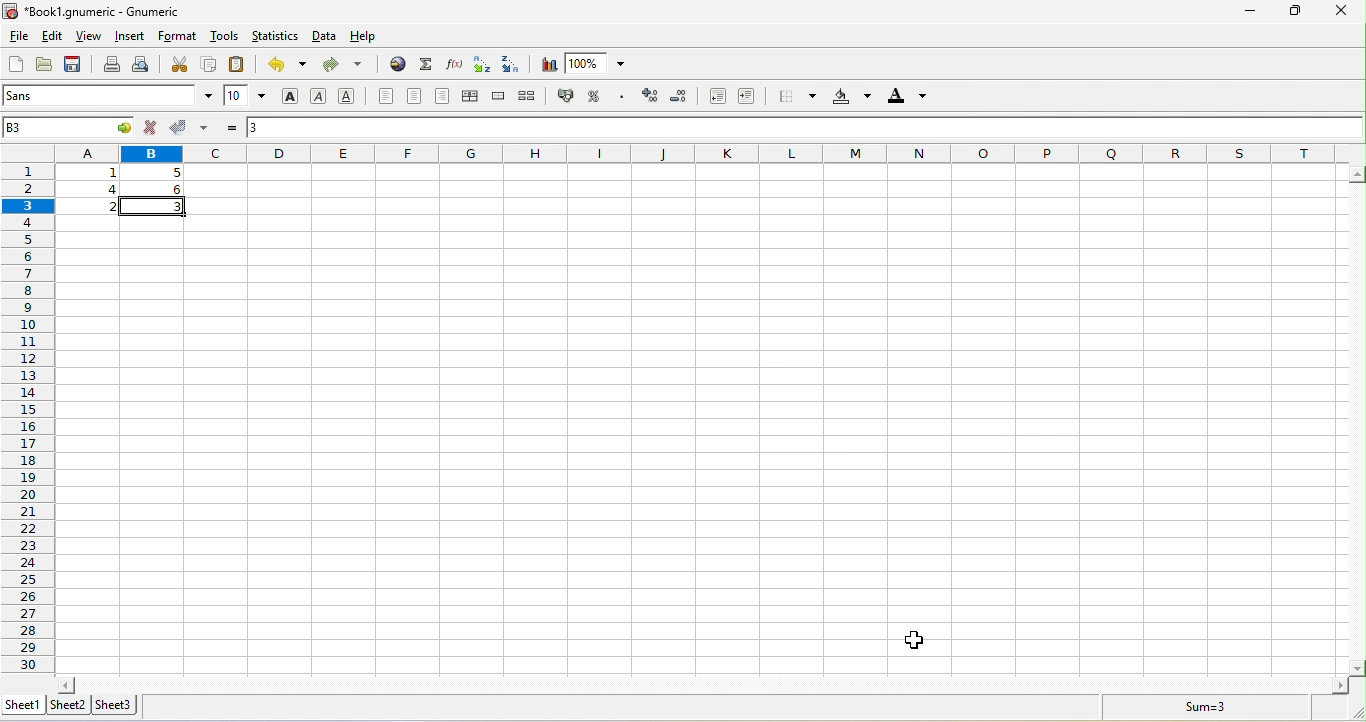  What do you see at coordinates (348, 67) in the screenshot?
I see `redo` at bounding box center [348, 67].